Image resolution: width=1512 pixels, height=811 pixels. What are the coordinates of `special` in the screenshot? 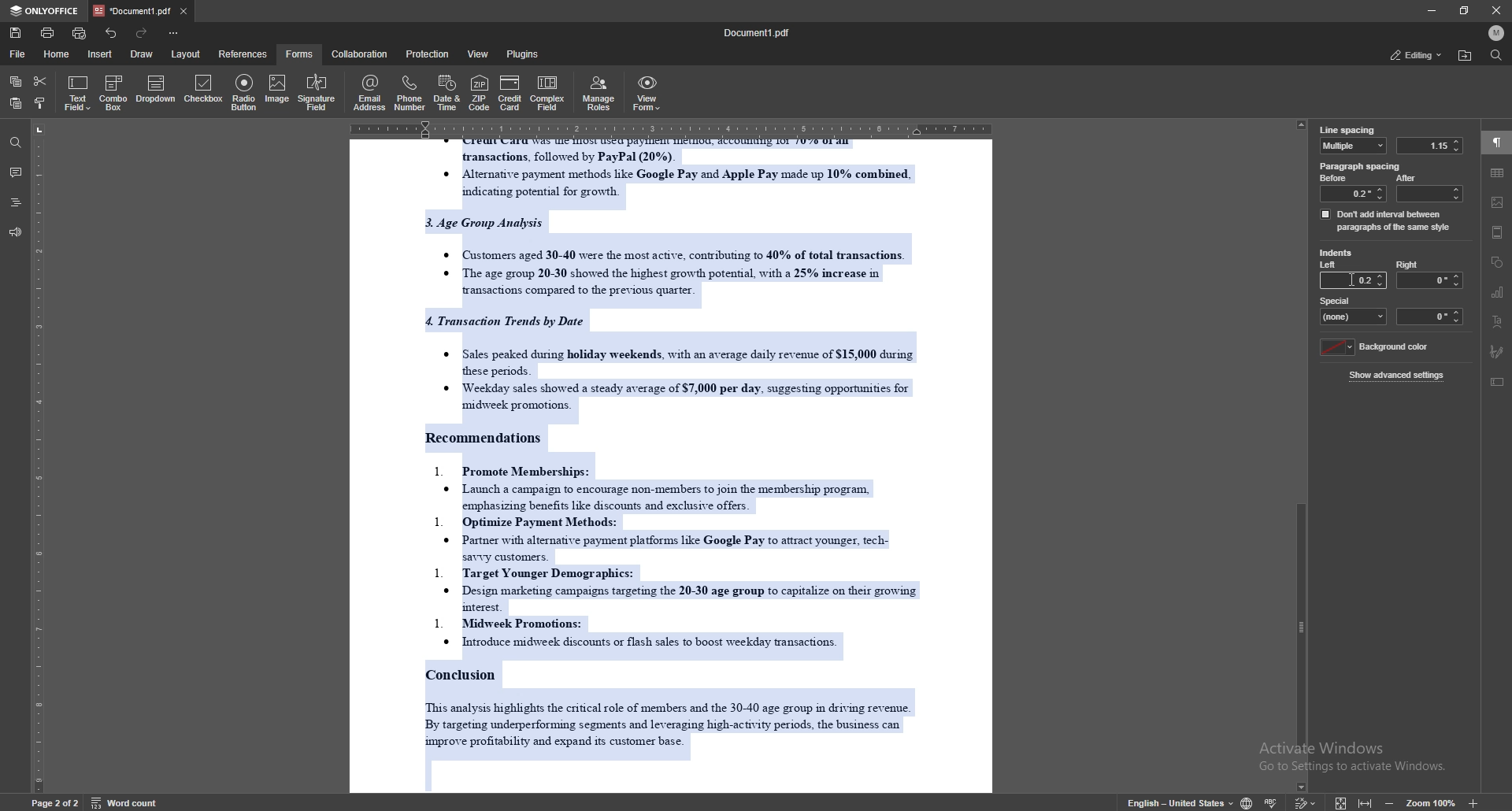 It's located at (1354, 309).